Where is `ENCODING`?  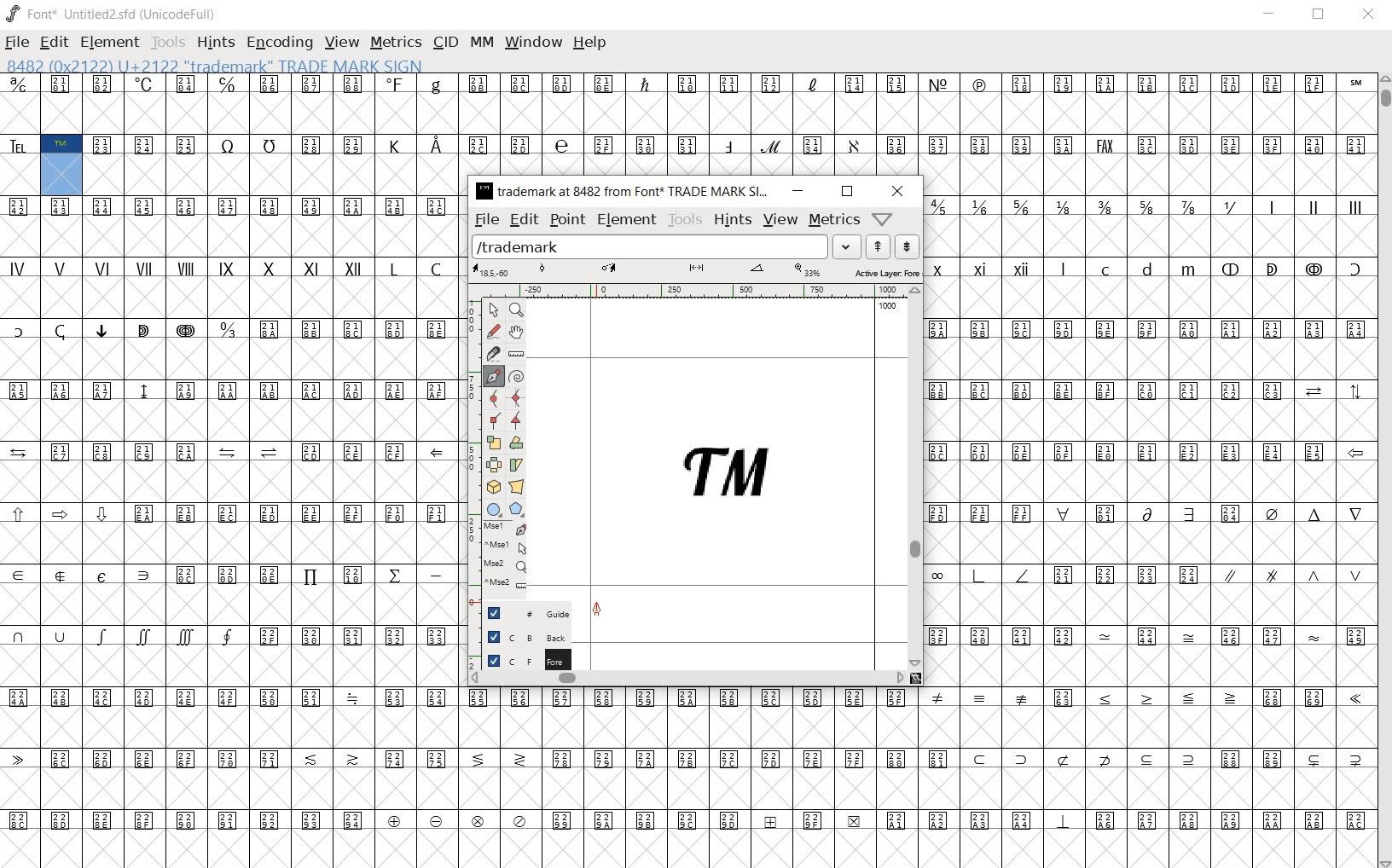
ENCODING is located at coordinates (280, 43).